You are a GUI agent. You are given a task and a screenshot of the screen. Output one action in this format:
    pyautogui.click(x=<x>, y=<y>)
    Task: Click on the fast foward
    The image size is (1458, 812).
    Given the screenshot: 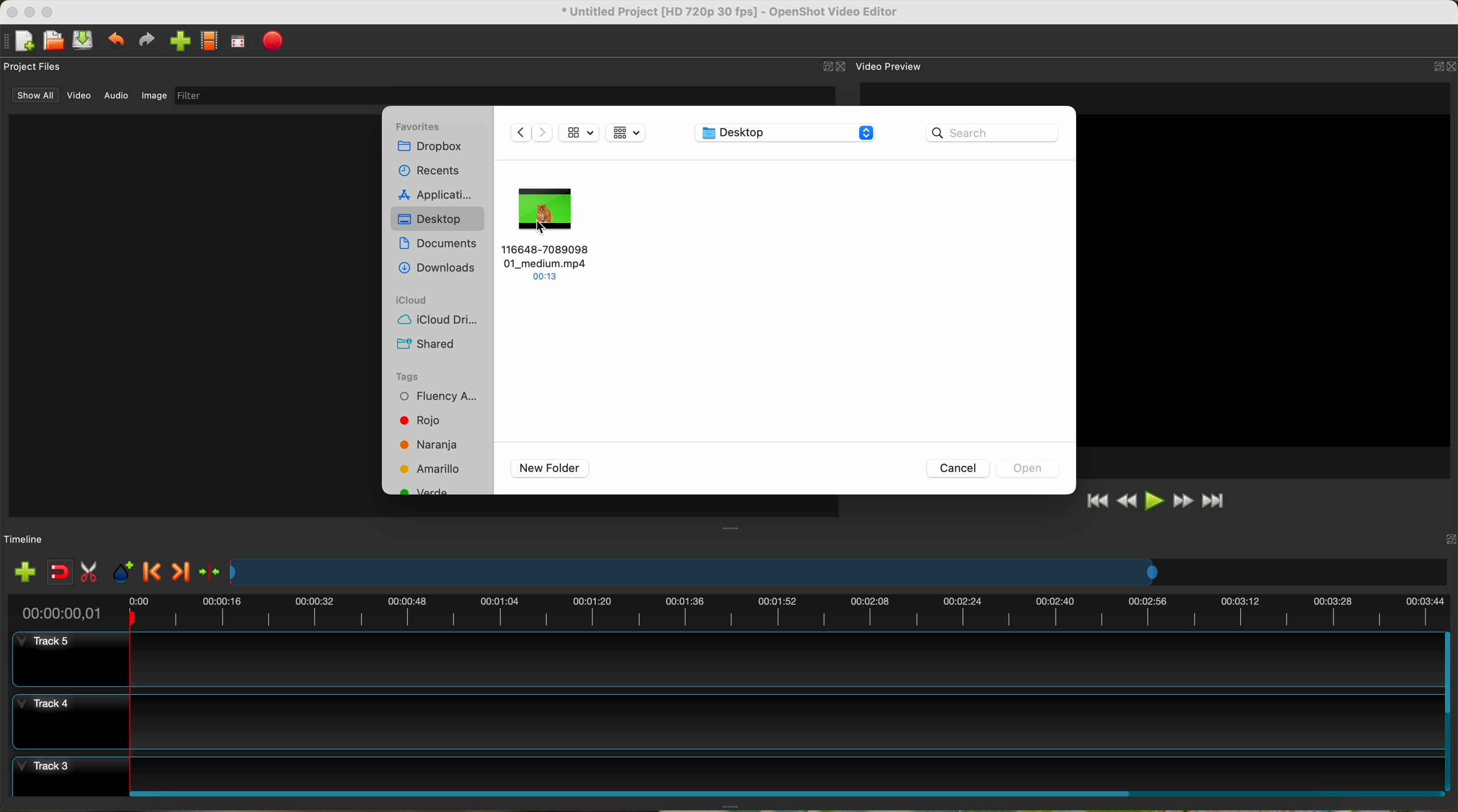 What is the action you would take?
    pyautogui.click(x=1183, y=501)
    